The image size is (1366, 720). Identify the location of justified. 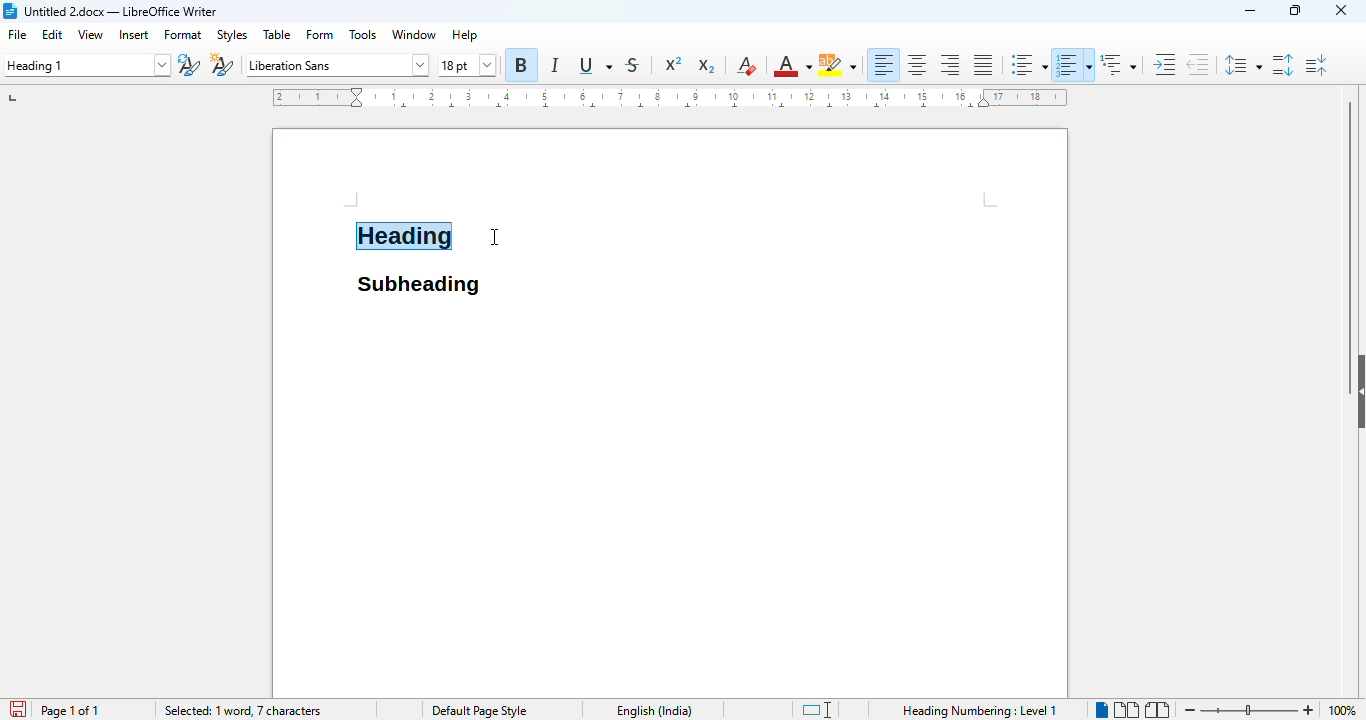
(984, 65).